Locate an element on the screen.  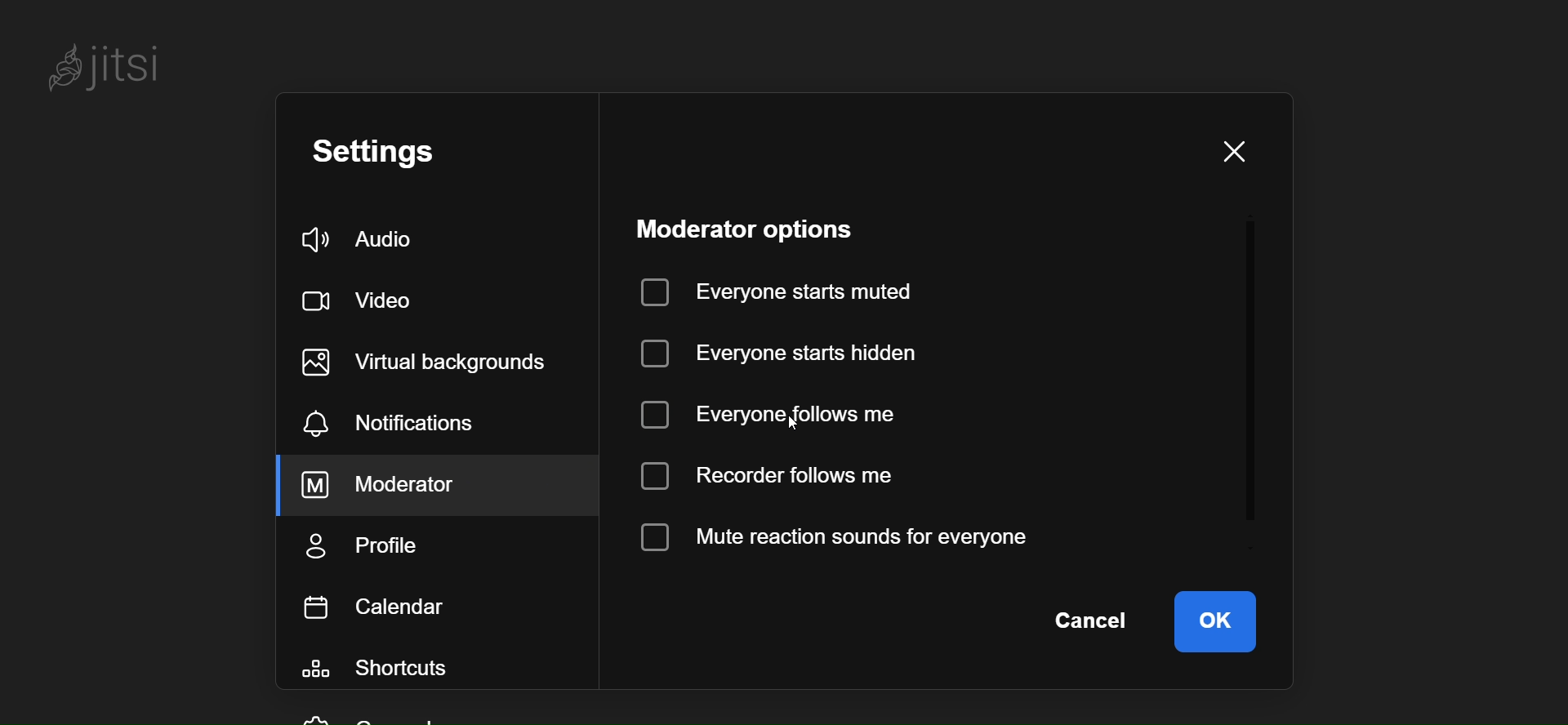
logo is located at coordinates (106, 62).